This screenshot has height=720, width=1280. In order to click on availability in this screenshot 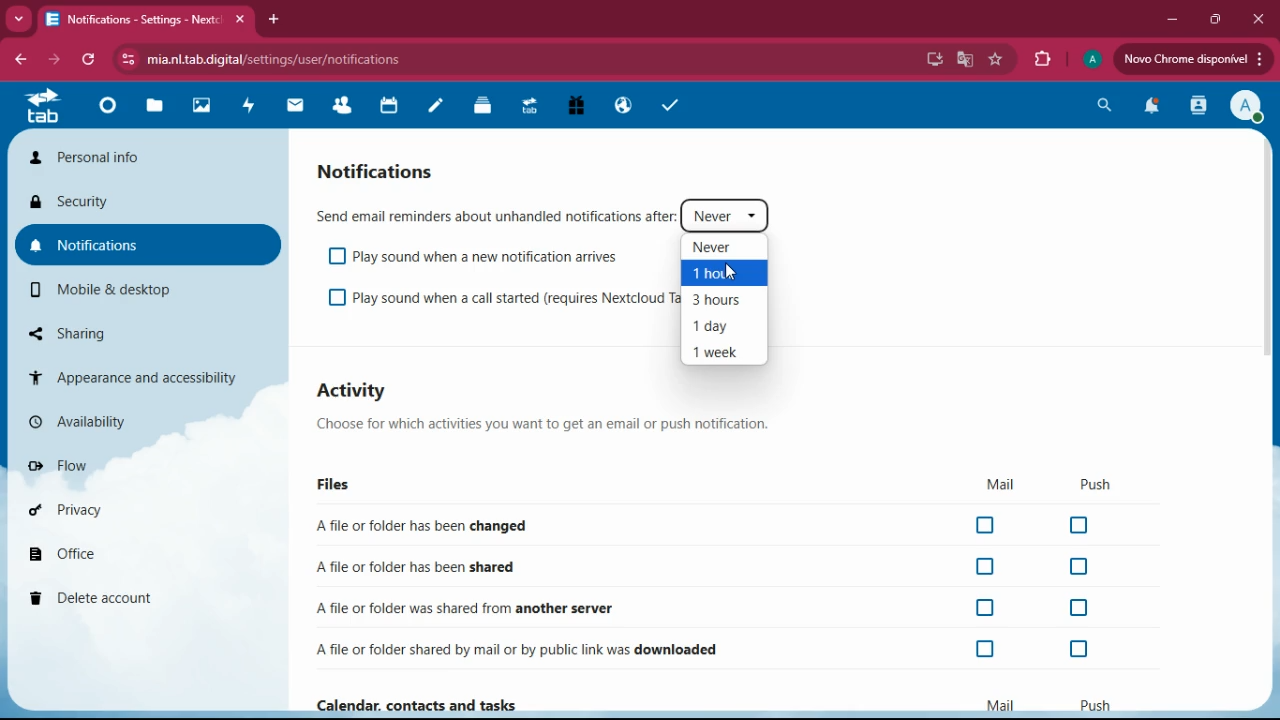, I will do `click(123, 425)`.